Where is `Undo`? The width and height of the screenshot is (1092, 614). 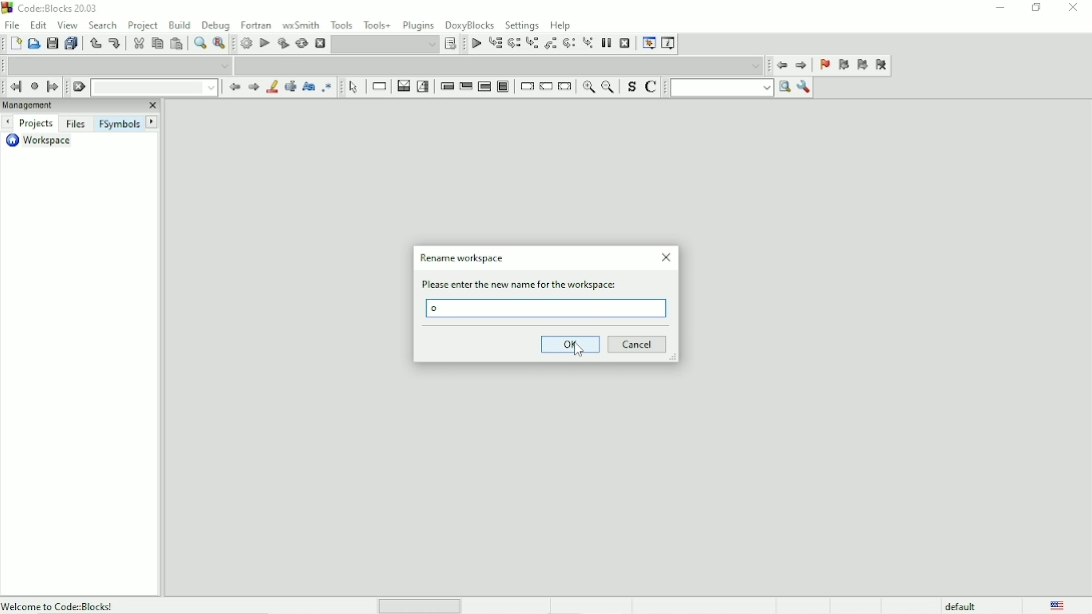
Undo is located at coordinates (93, 43).